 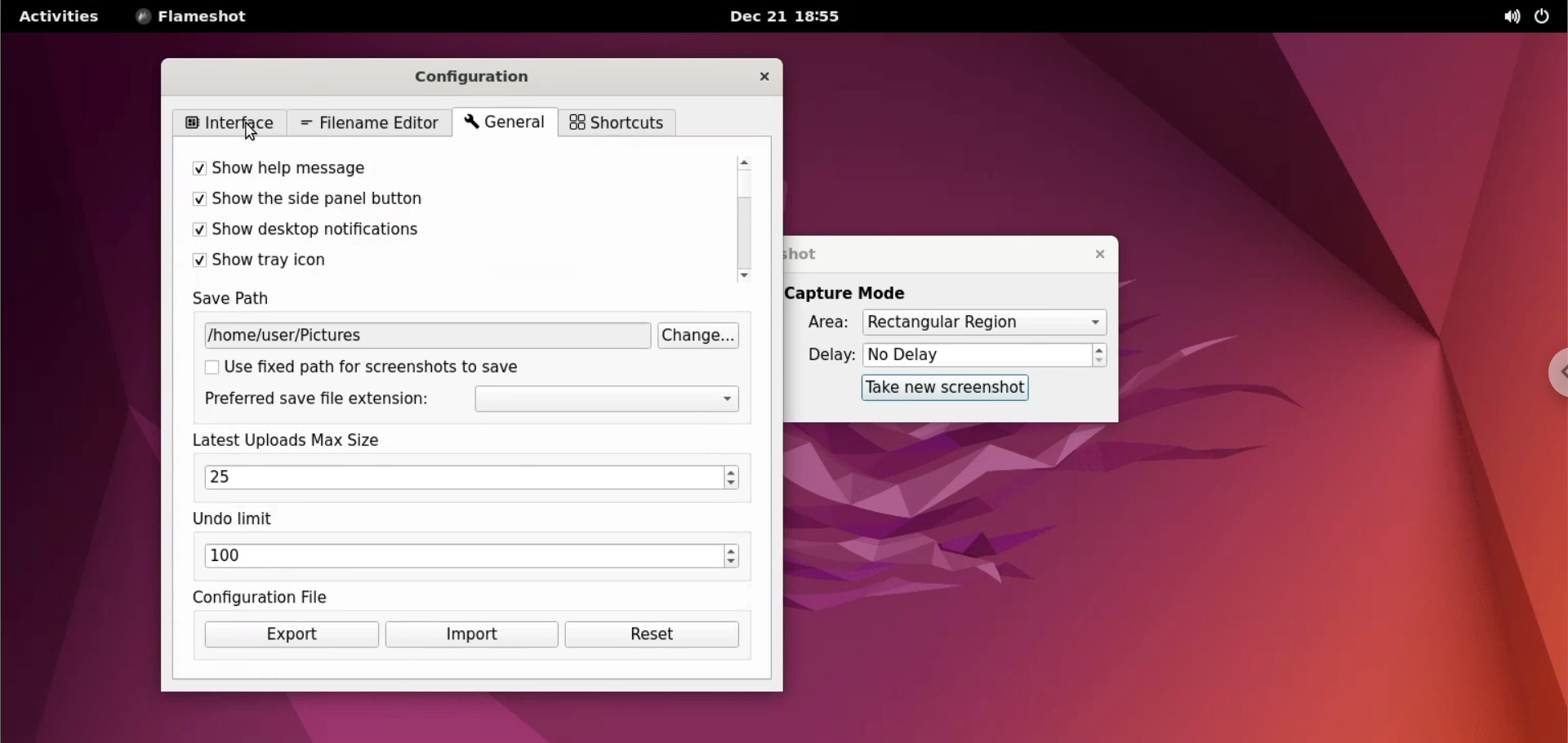 What do you see at coordinates (817, 323) in the screenshot?
I see `area` at bounding box center [817, 323].